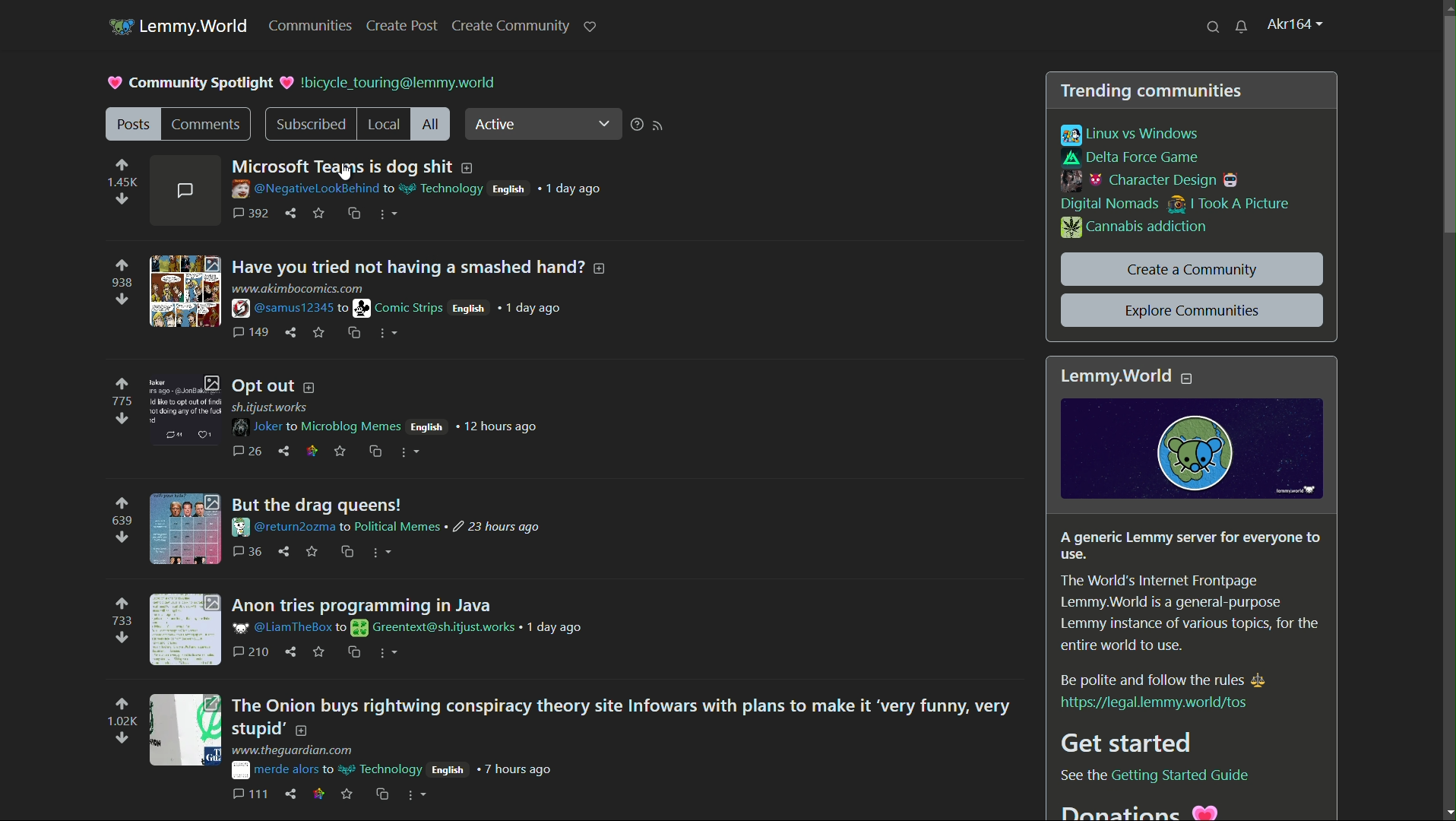 The image size is (1456, 821). Describe the element at coordinates (590, 25) in the screenshot. I see `support lemmy.world` at that location.